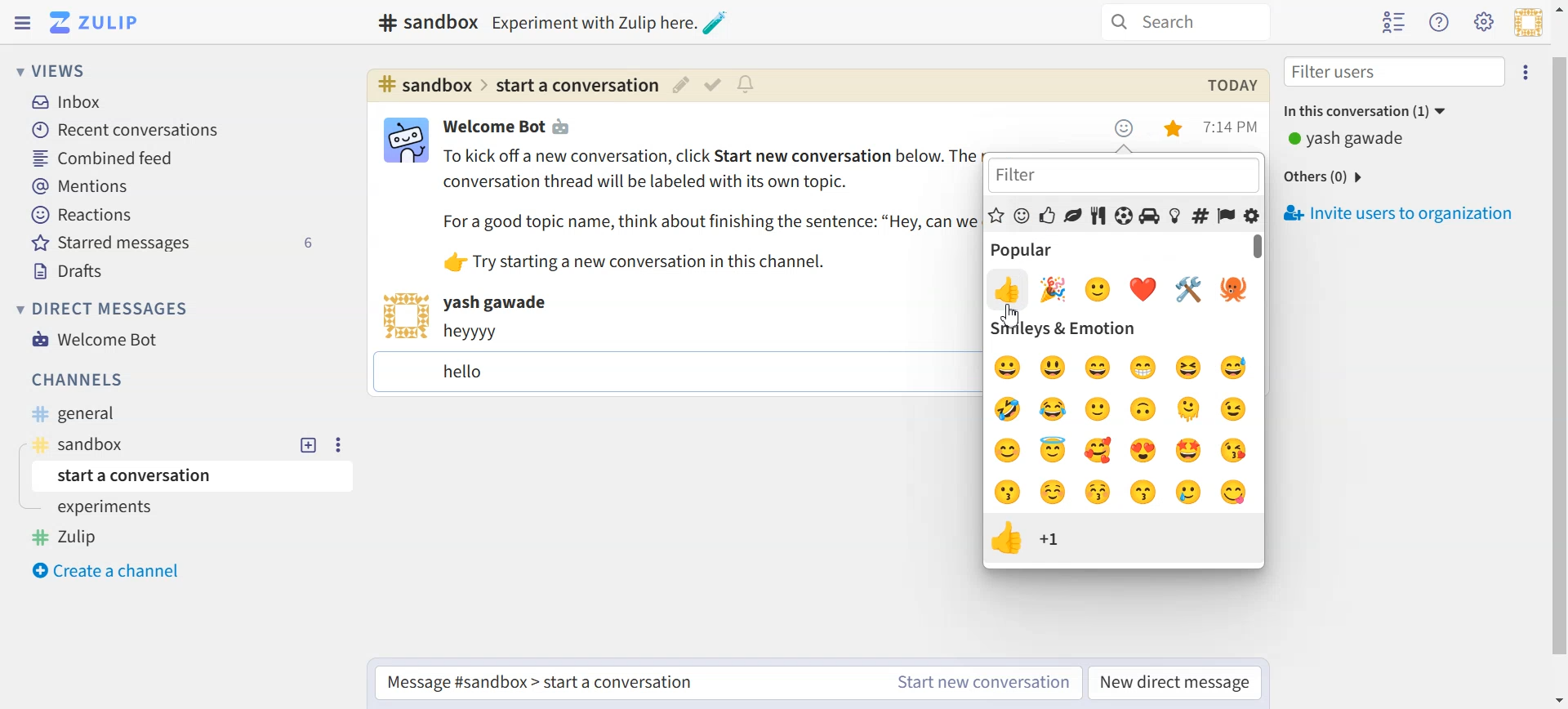 The image size is (1568, 709). Describe the element at coordinates (1121, 129) in the screenshot. I see `Emoji` at that location.